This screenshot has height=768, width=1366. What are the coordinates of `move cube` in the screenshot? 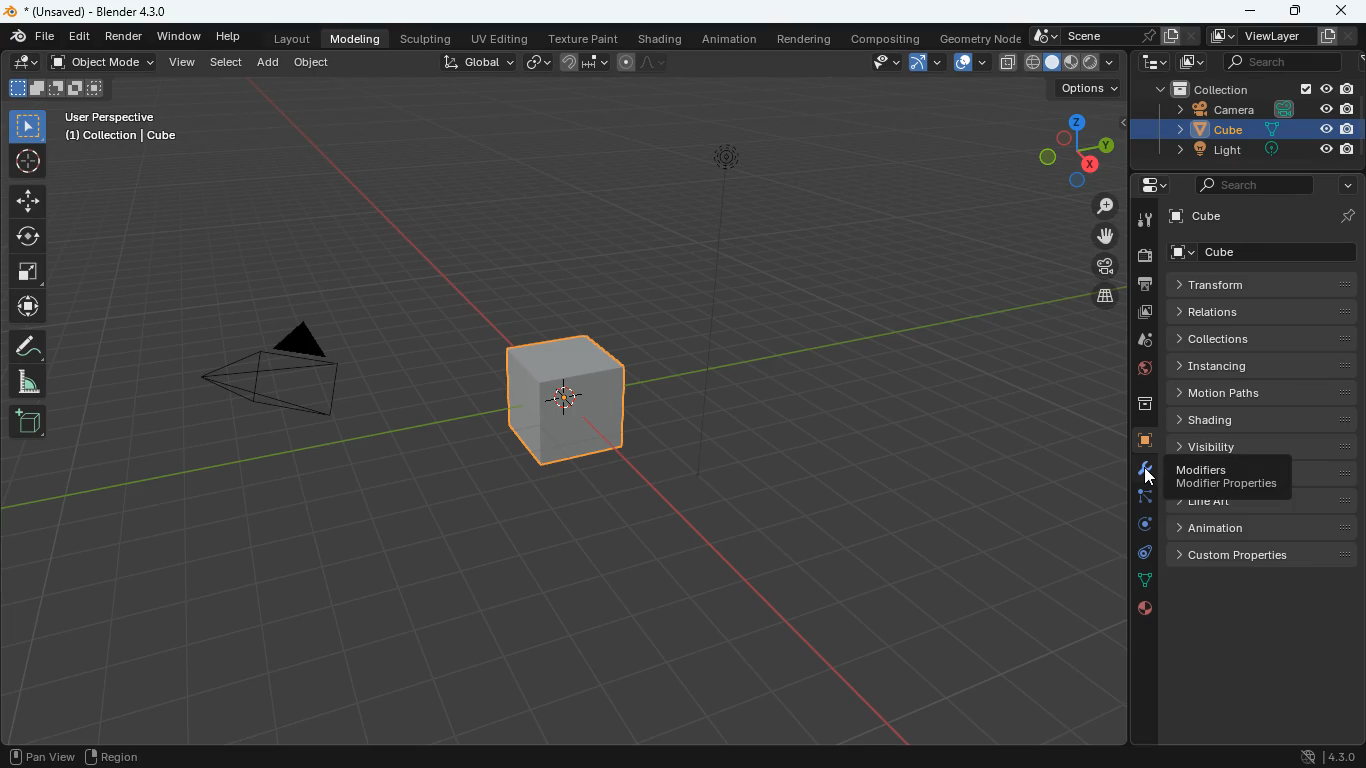 It's located at (28, 307).